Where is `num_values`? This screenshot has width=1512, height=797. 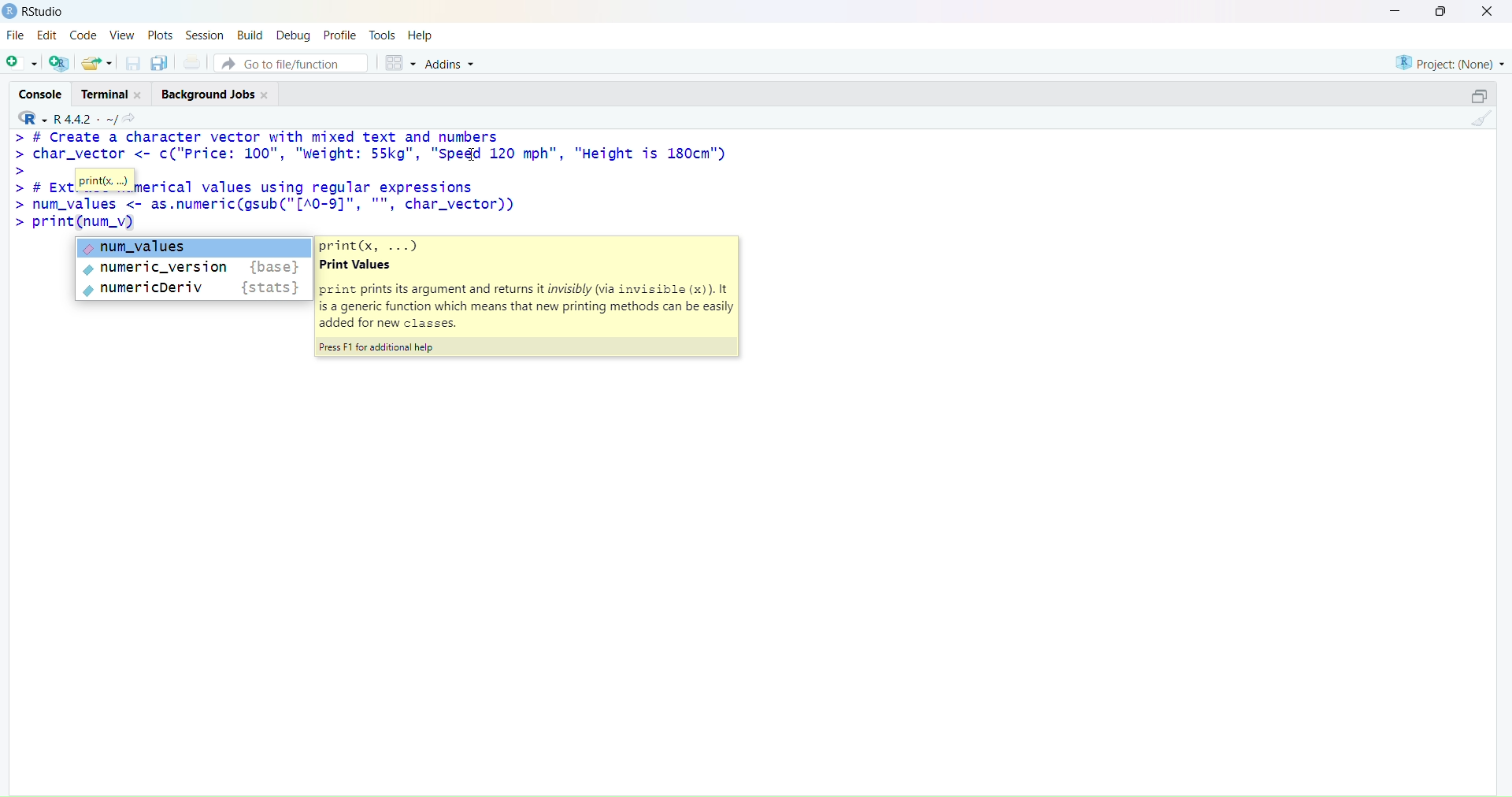 num_values is located at coordinates (195, 247).